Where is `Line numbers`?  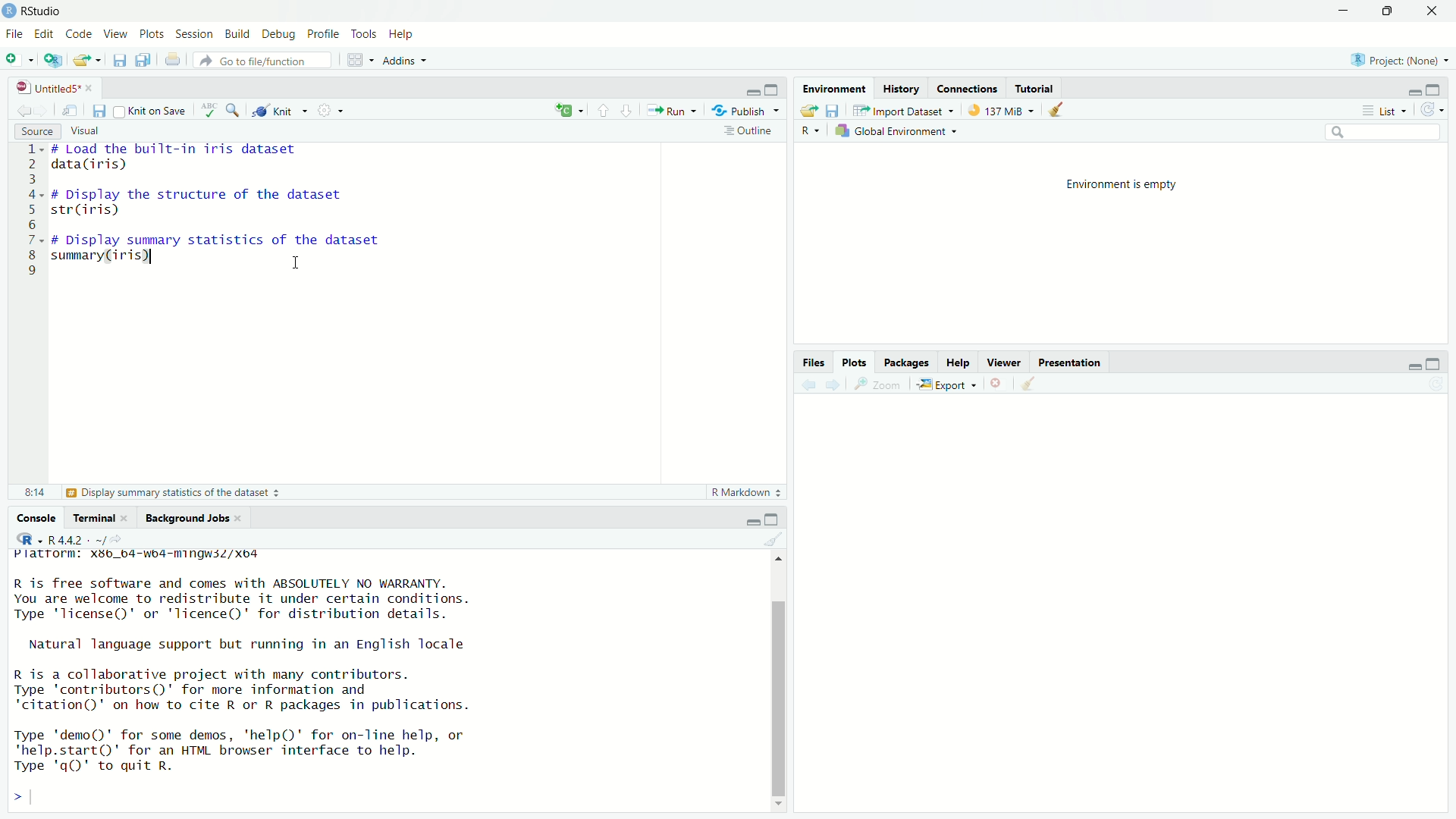 Line numbers is located at coordinates (31, 213).